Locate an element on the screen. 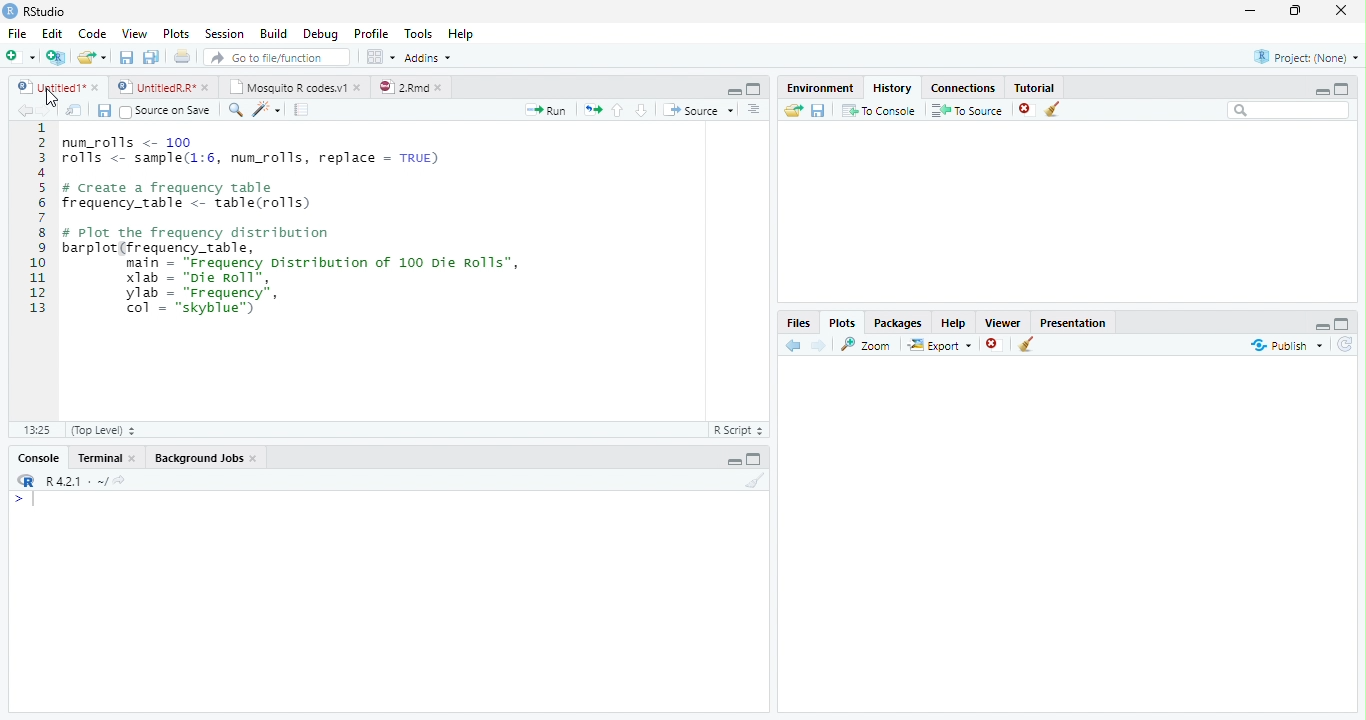  File is located at coordinates (18, 31).